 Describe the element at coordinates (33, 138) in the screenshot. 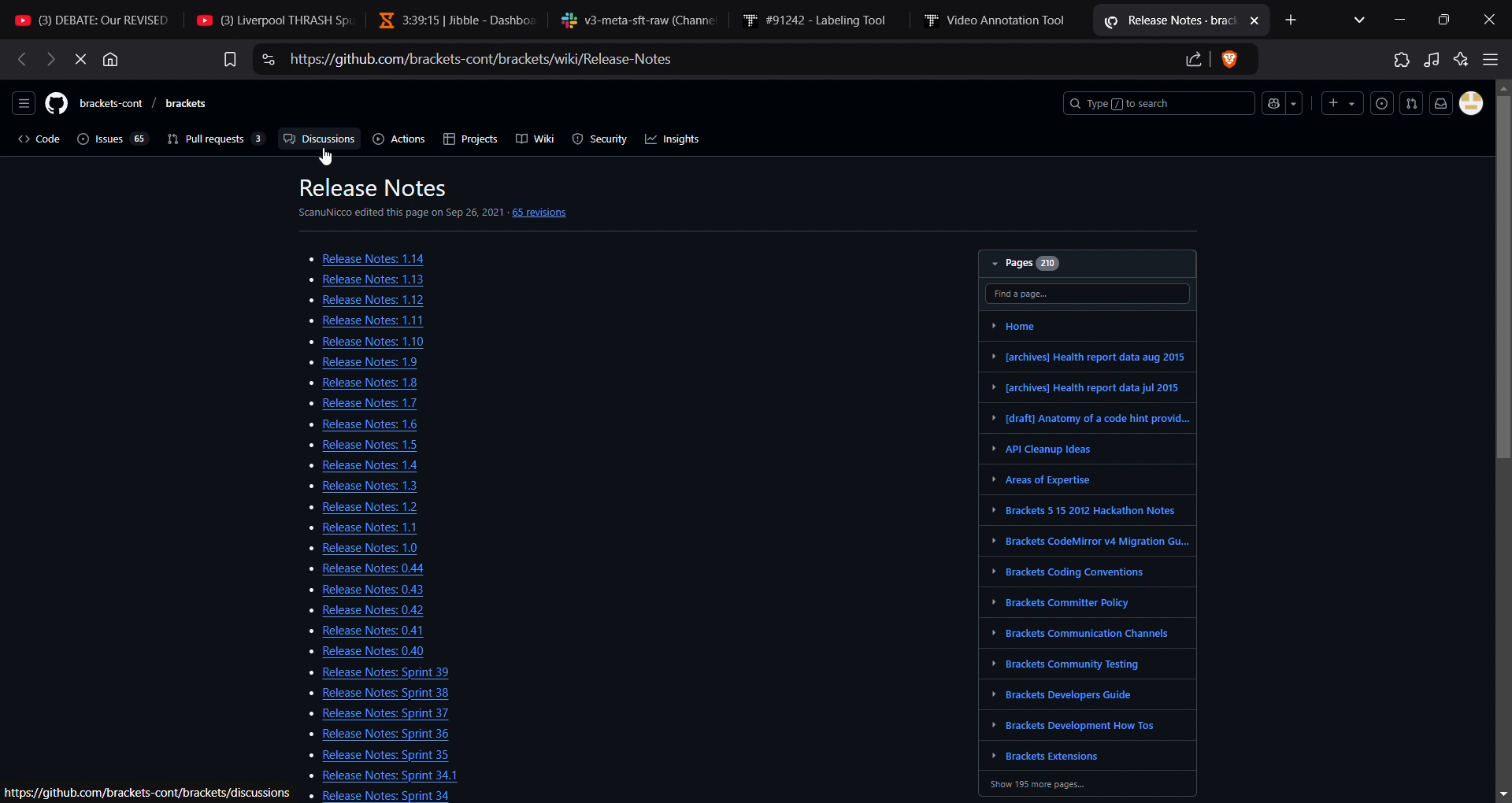

I see `code ` at that location.